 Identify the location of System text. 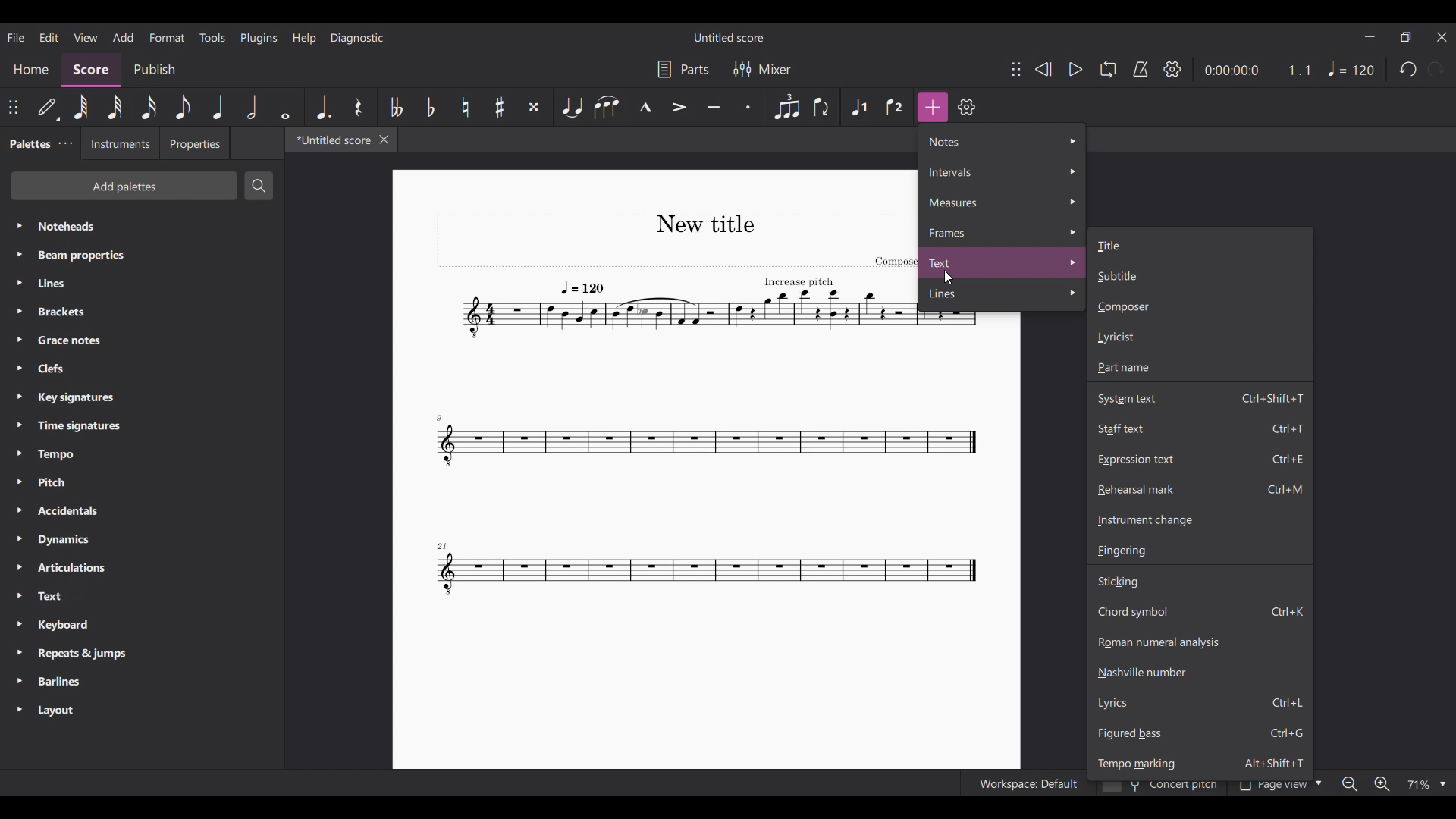
(1200, 397).